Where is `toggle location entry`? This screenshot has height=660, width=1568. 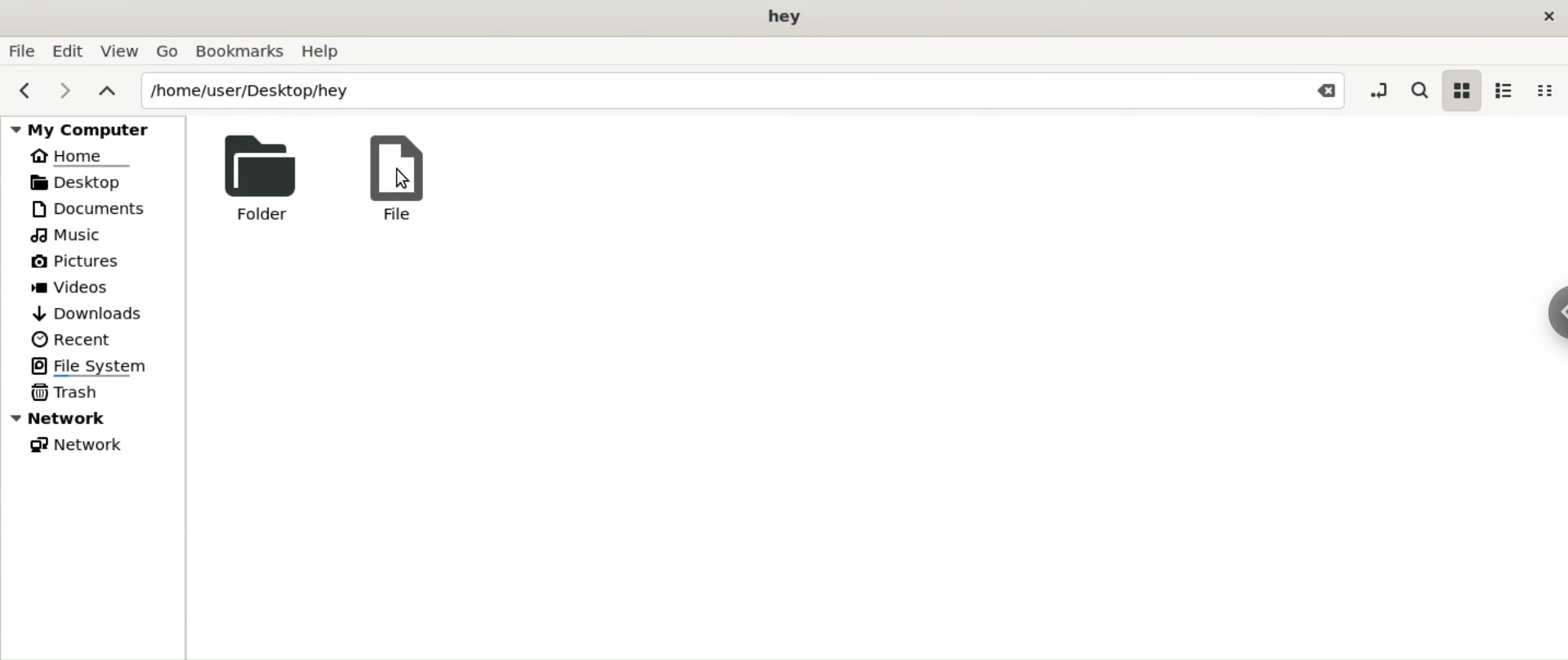 toggle location entry is located at coordinates (1378, 90).